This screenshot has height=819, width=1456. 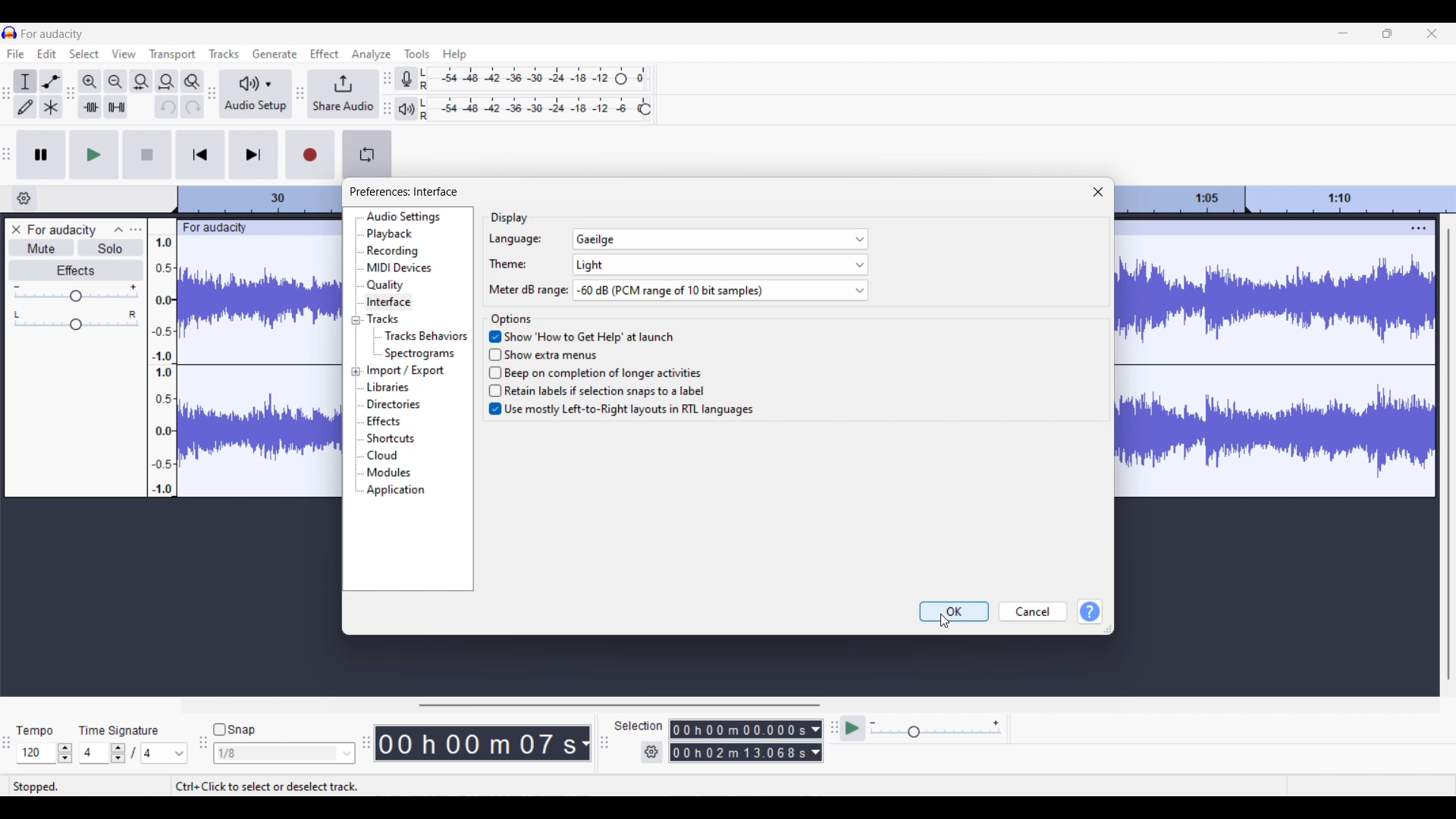 What do you see at coordinates (406, 78) in the screenshot?
I see `Record meter` at bounding box center [406, 78].